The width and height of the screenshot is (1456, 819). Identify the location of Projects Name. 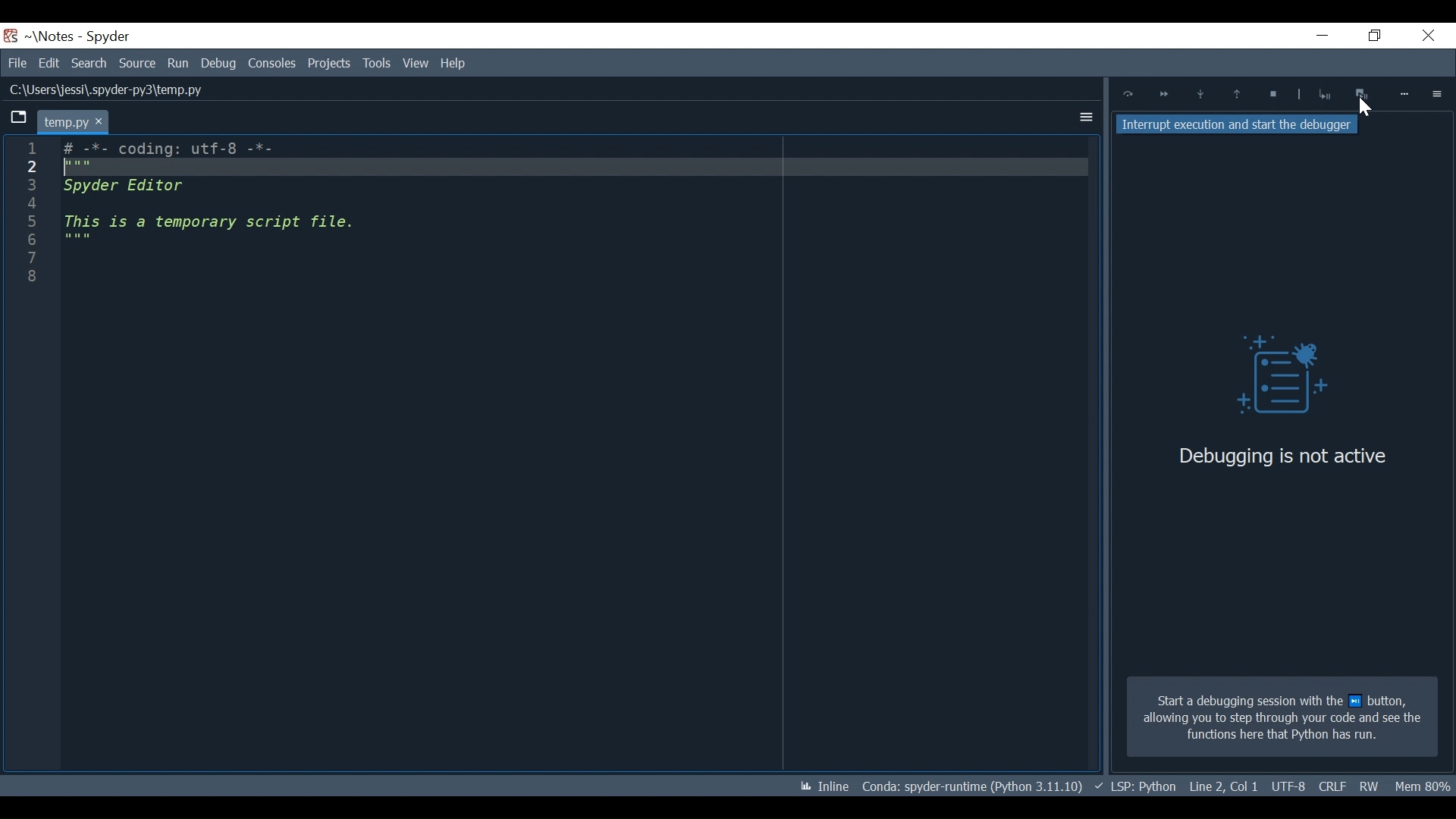
(55, 36).